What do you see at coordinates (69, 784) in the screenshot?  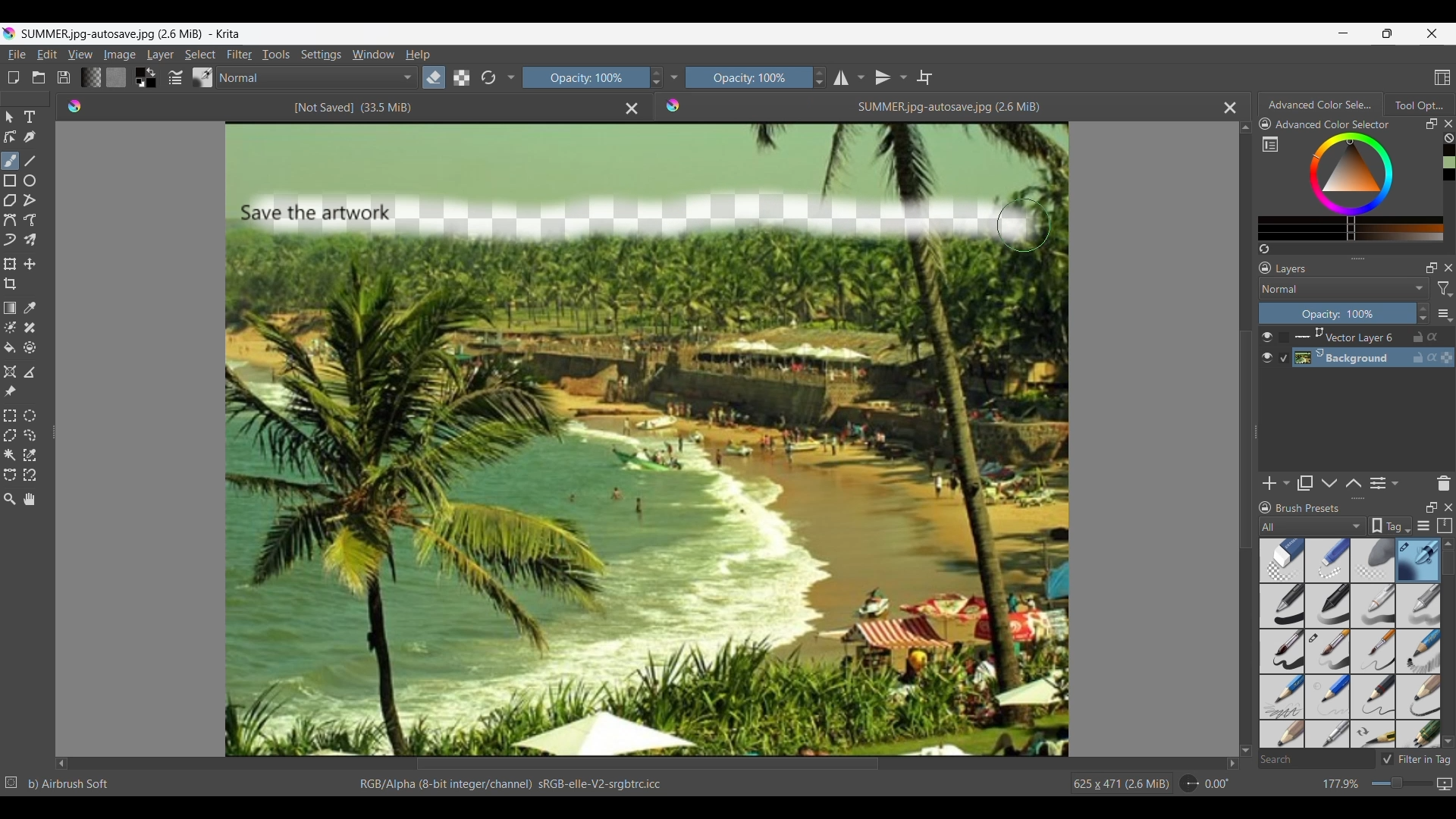 I see `b) Airbrush Soft` at bounding box center [69, 784].